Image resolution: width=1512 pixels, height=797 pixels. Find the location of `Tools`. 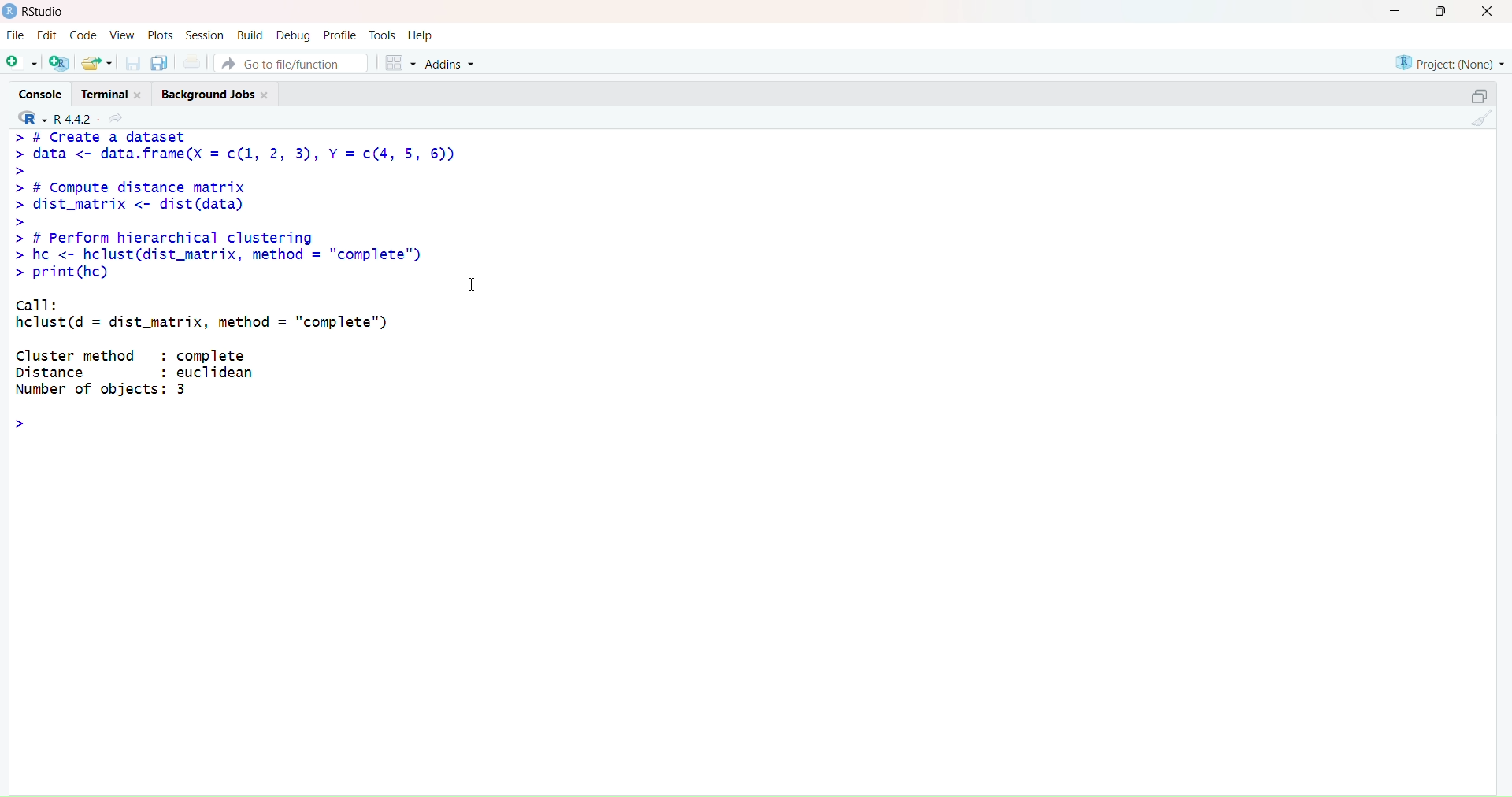

Tools is located at coordinates (380, 36).